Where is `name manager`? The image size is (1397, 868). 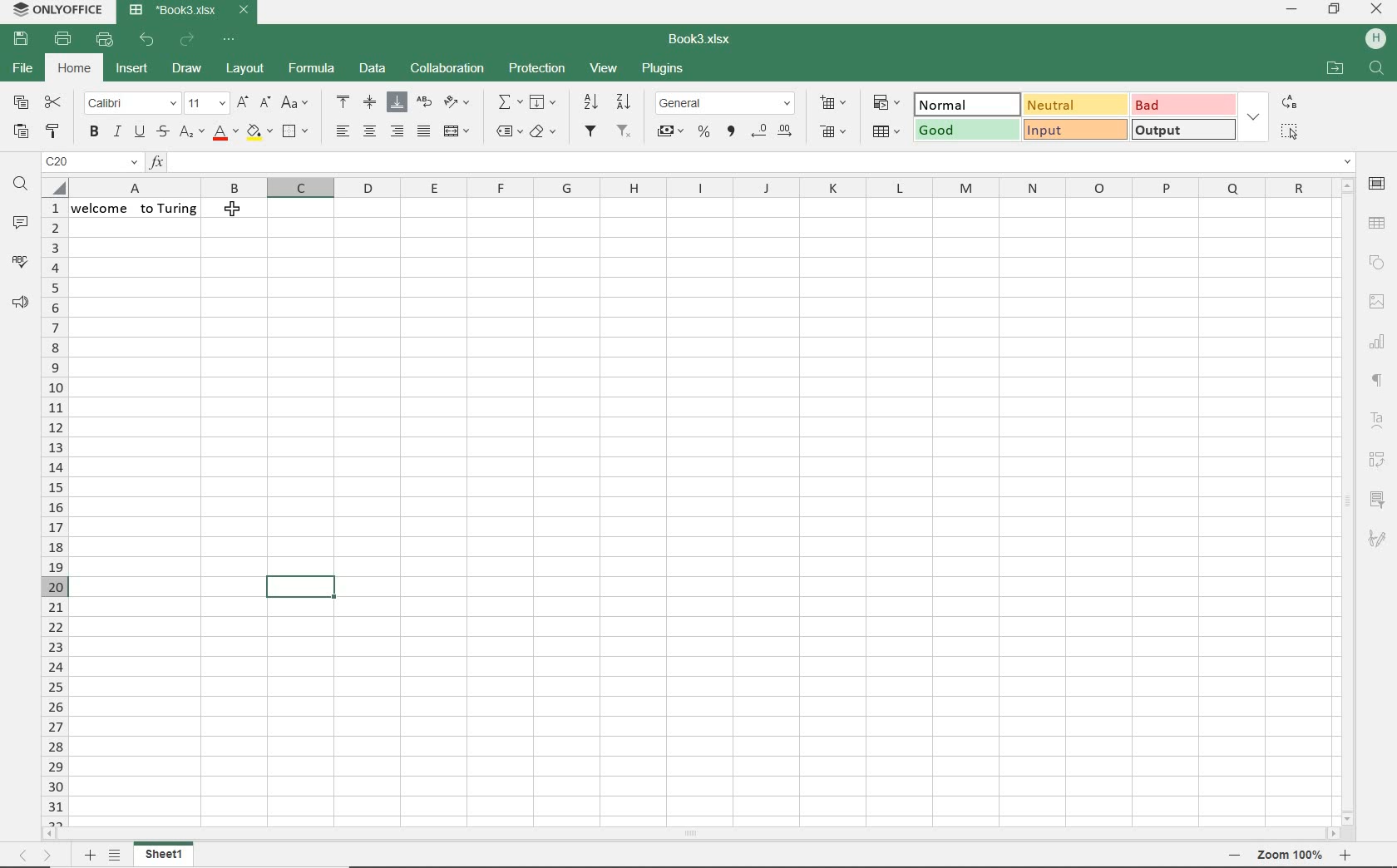 name manager is located at coordinates (91, 162).